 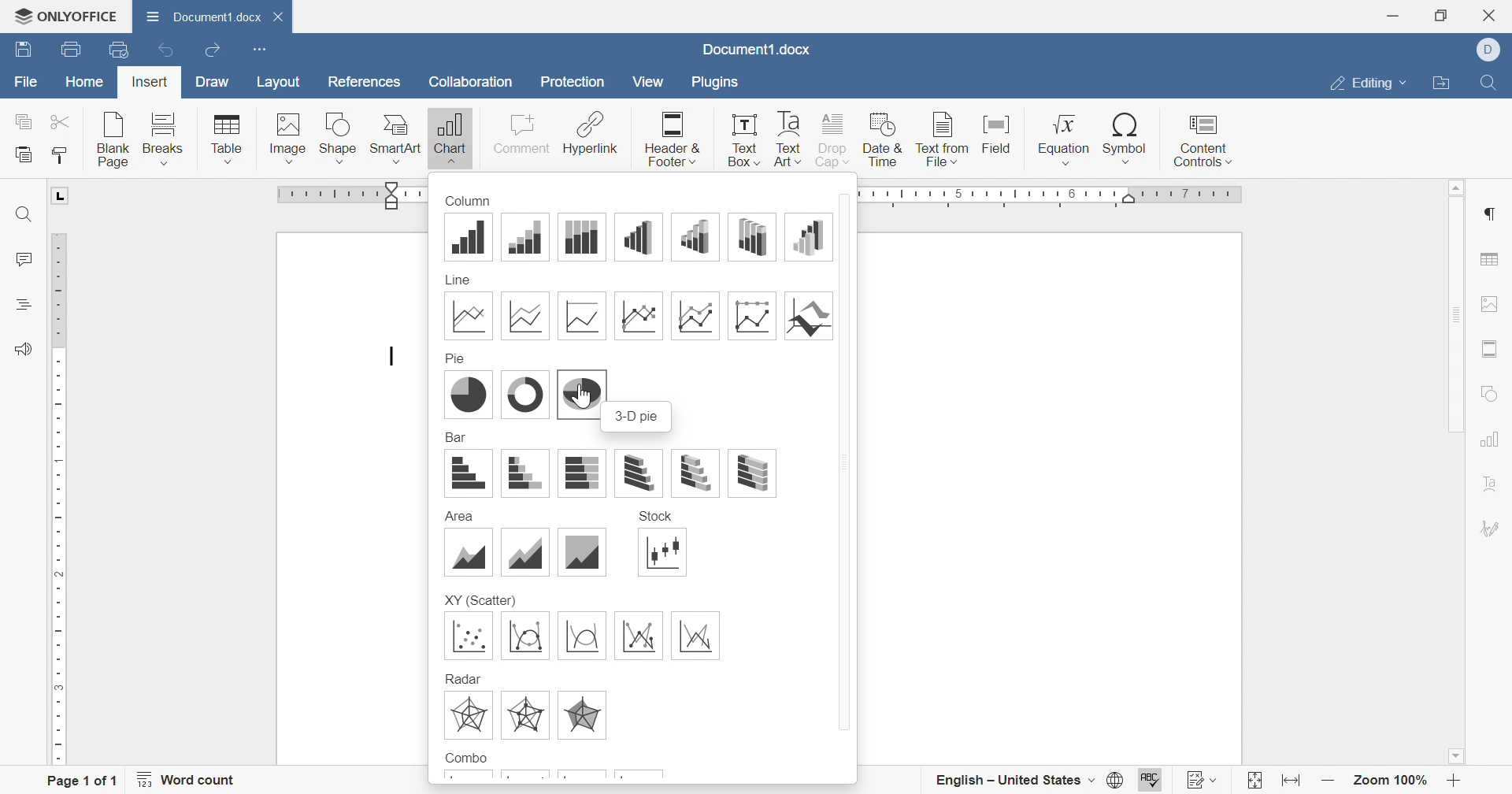 I want to click on cursor, so click(x=587, y=403).